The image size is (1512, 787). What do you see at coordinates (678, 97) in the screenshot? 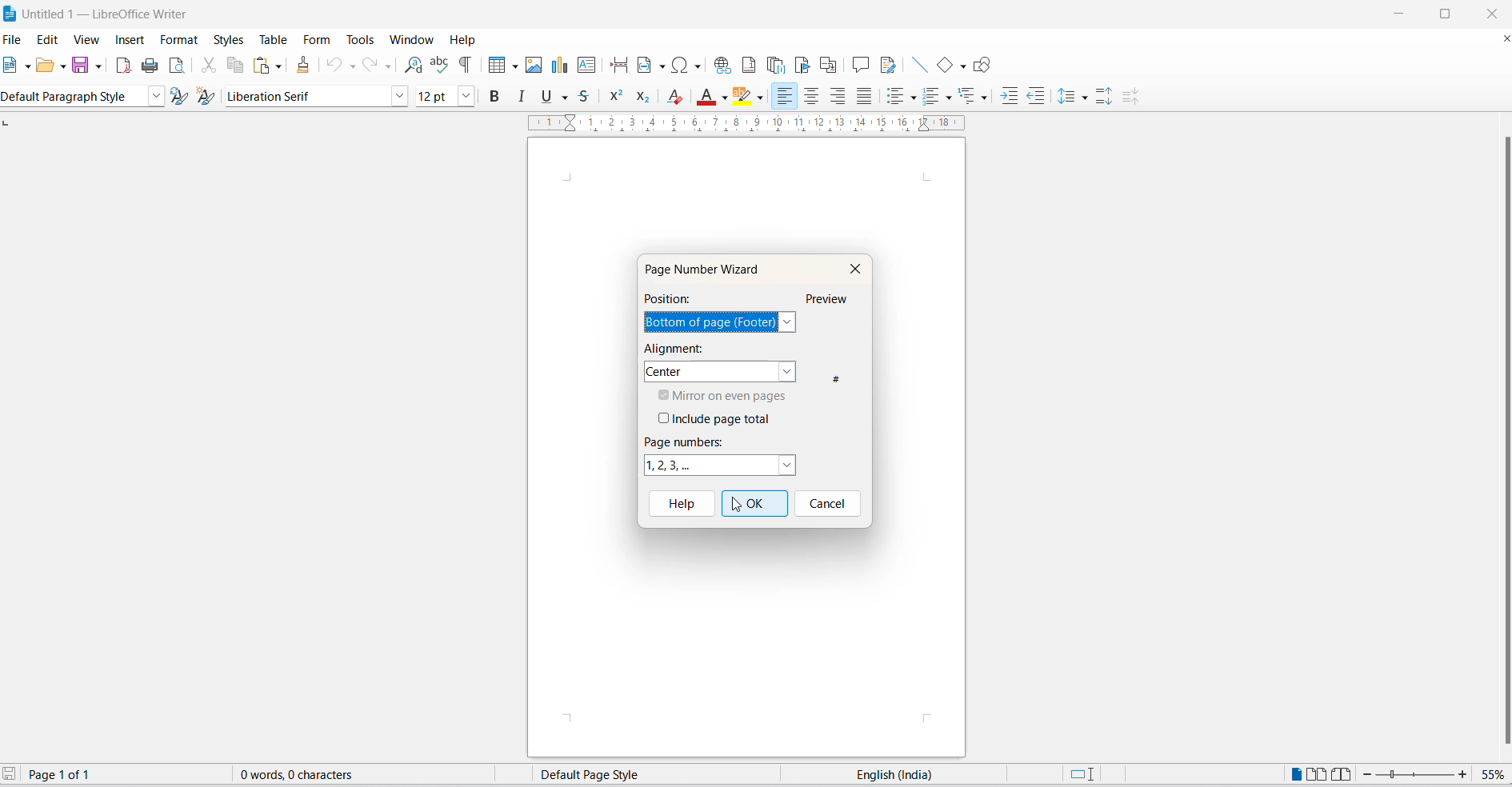
I see `clear direct formatting` at bounding box center [678, 97].